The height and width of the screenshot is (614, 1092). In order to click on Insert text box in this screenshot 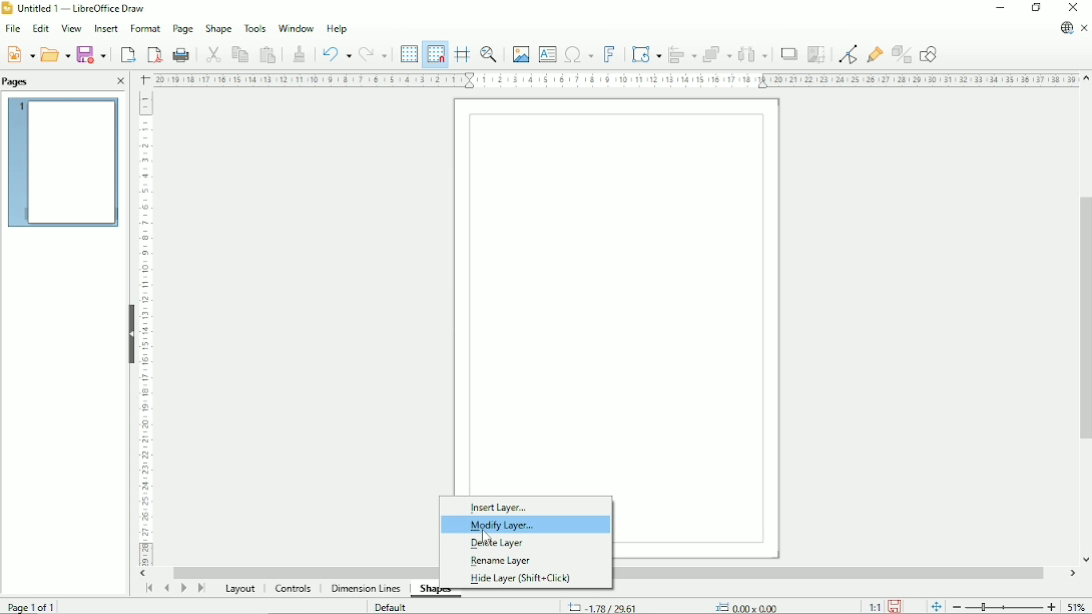, I will do `click(548, 53)`.